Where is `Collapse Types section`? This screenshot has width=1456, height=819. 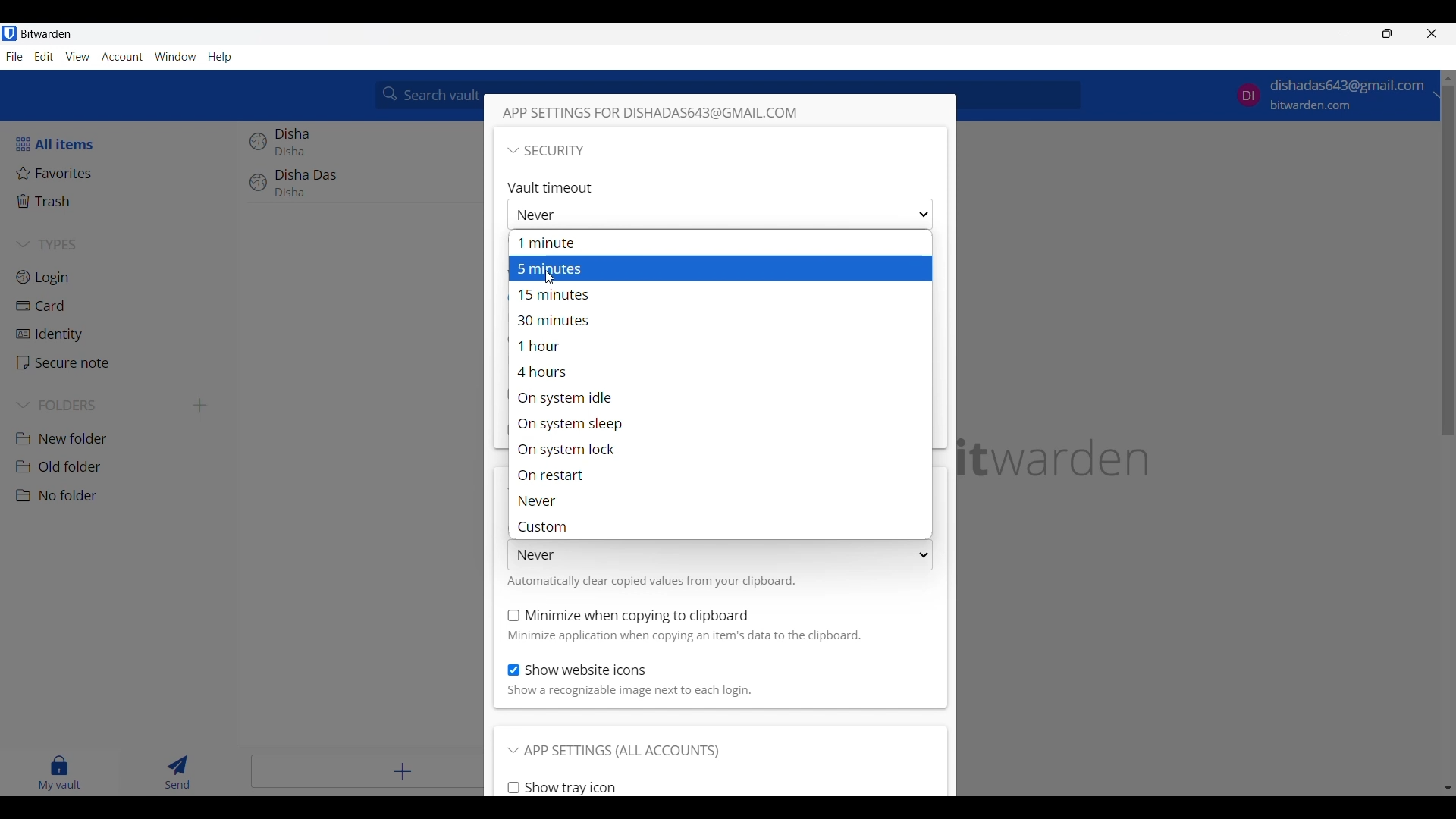 Collapse Types section is located at coordinates (123, 244).